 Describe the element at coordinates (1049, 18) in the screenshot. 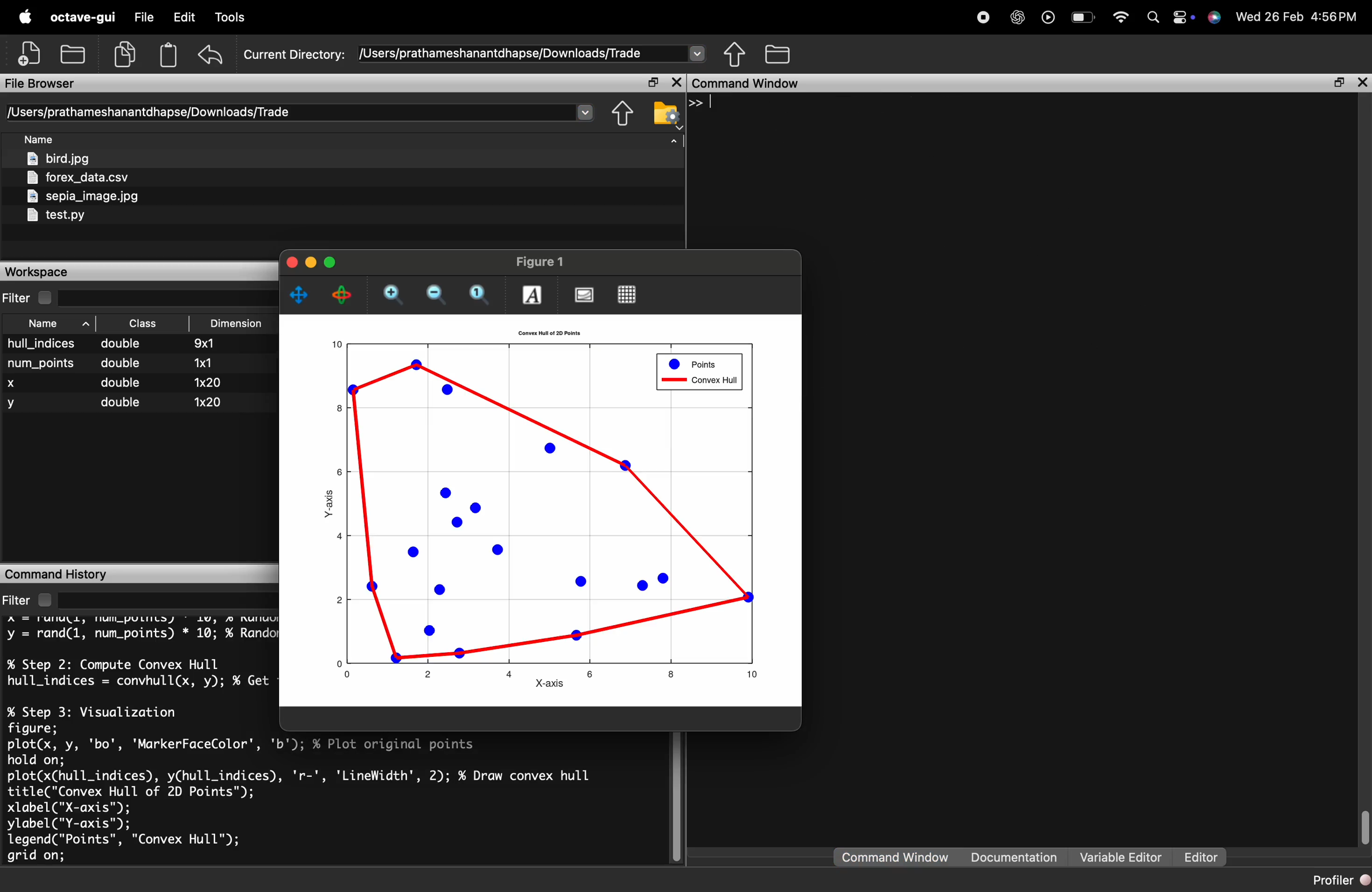

I see `play` at that location.